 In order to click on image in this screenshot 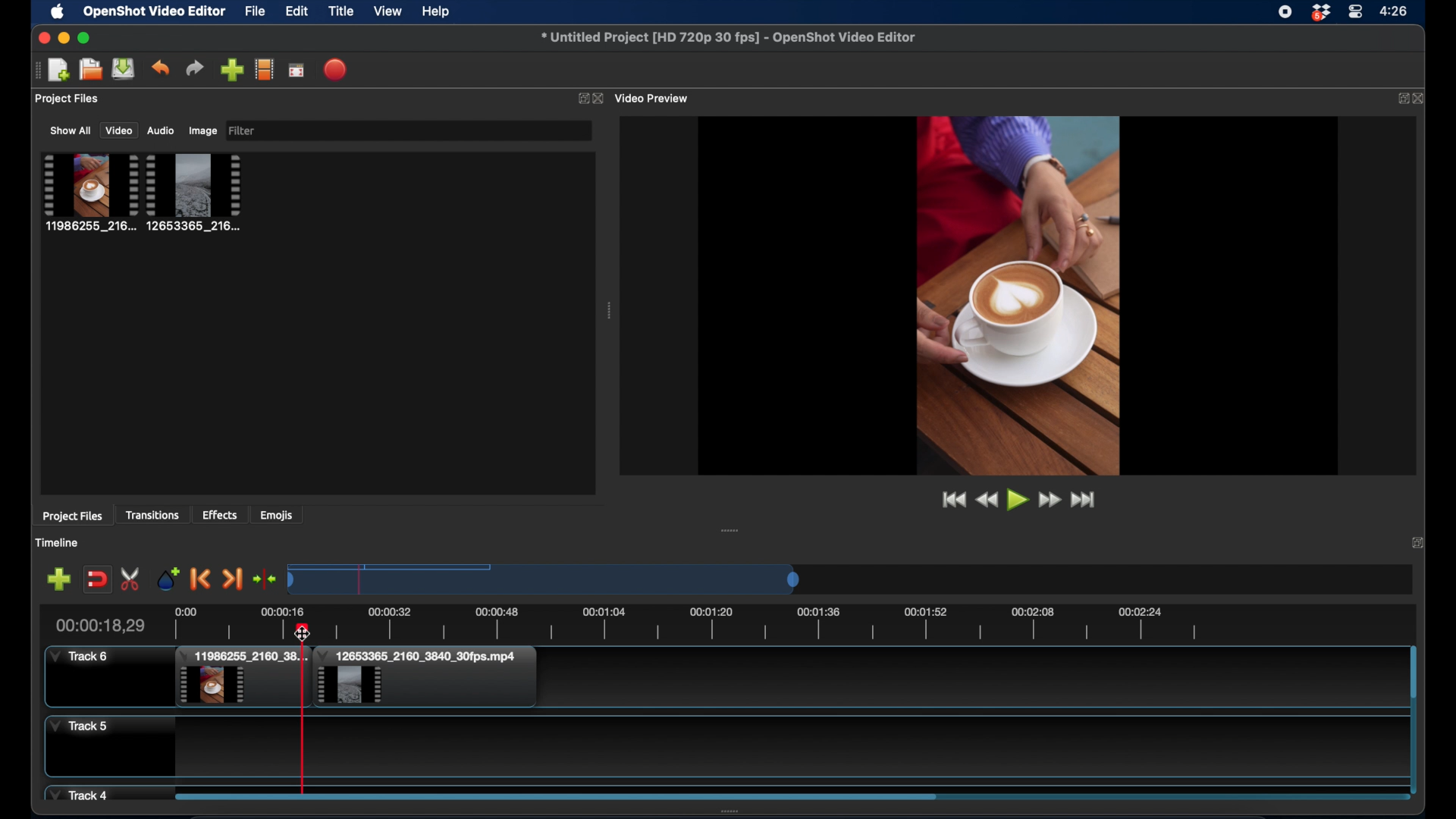, I will do `click(202, 130)`.